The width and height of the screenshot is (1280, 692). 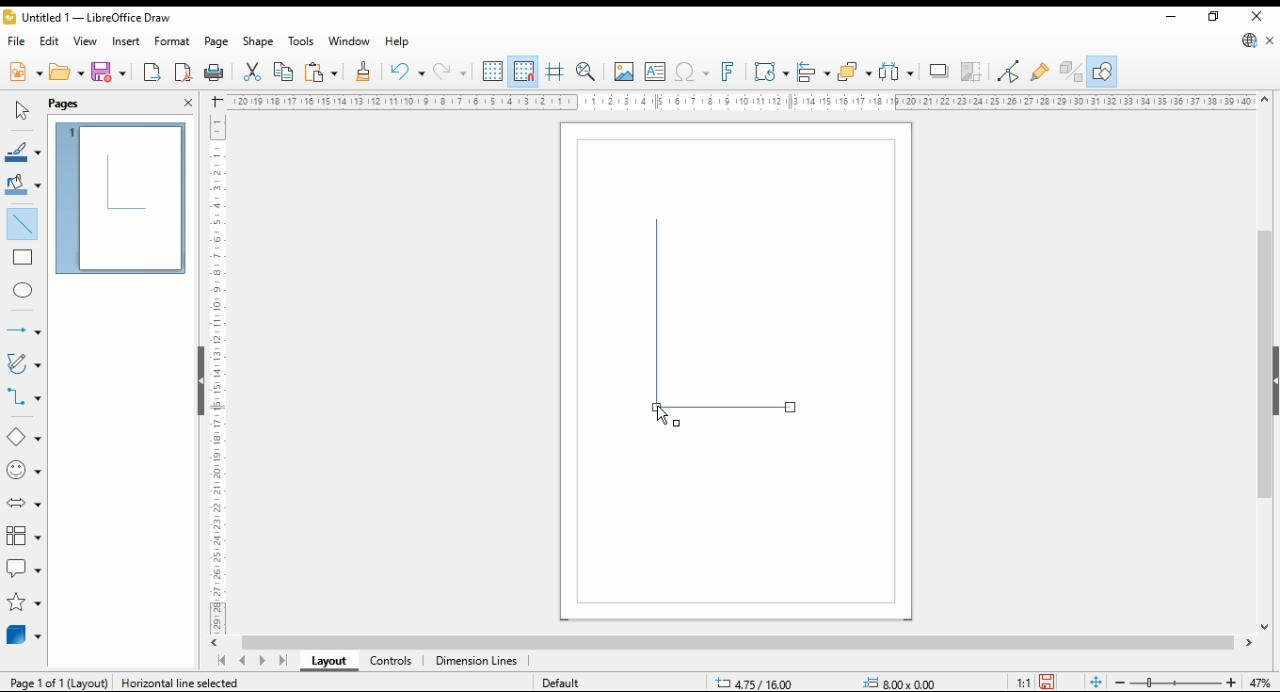 I want to click on undo, so click(x=406, y=72).